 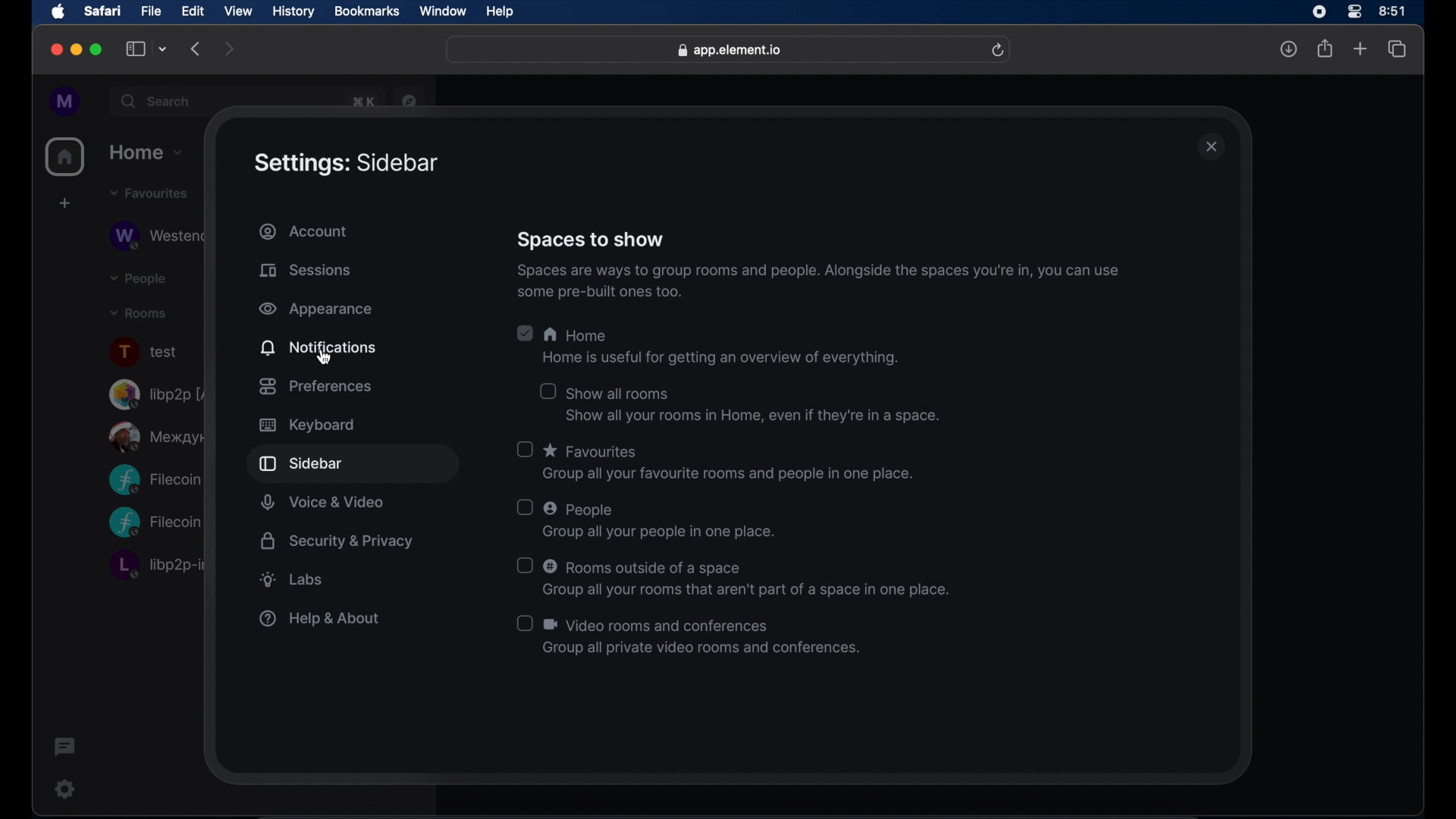 I want to click on new tab, so click(x=1362, y=49).